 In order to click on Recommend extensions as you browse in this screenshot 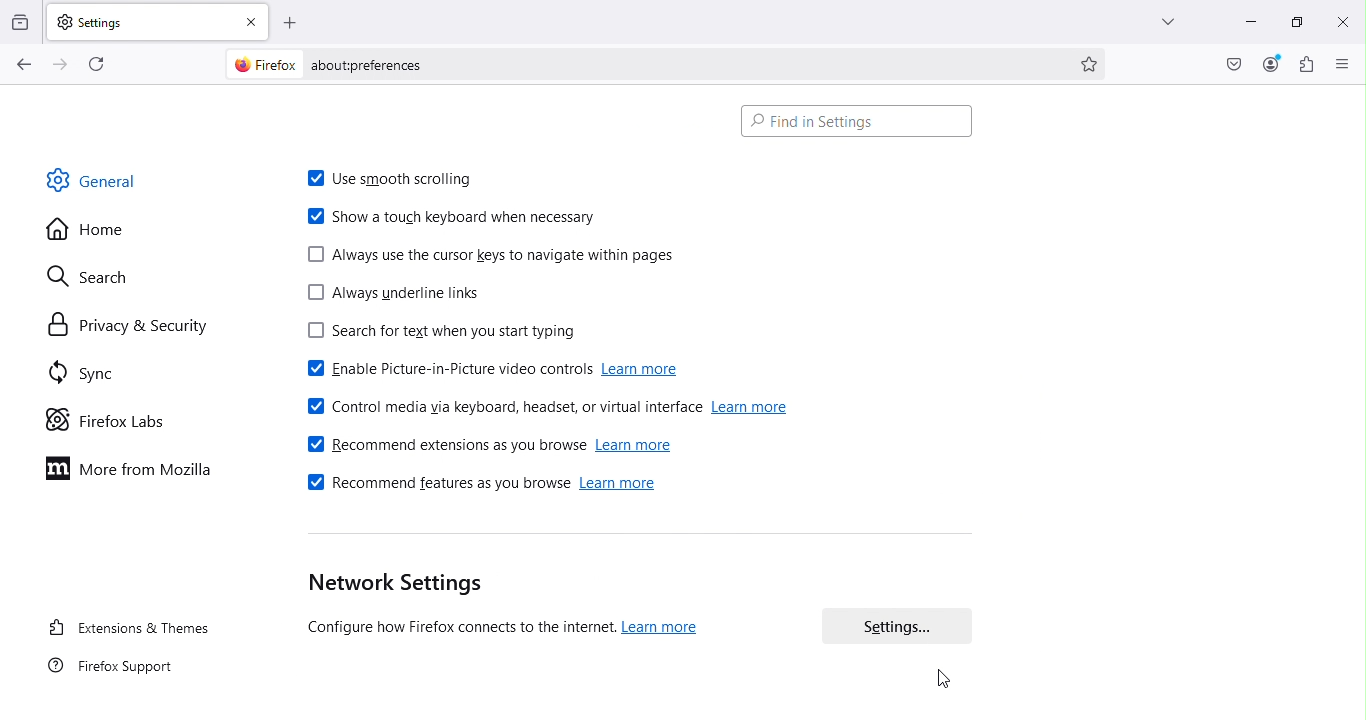, I will do `click(491, 446)`.